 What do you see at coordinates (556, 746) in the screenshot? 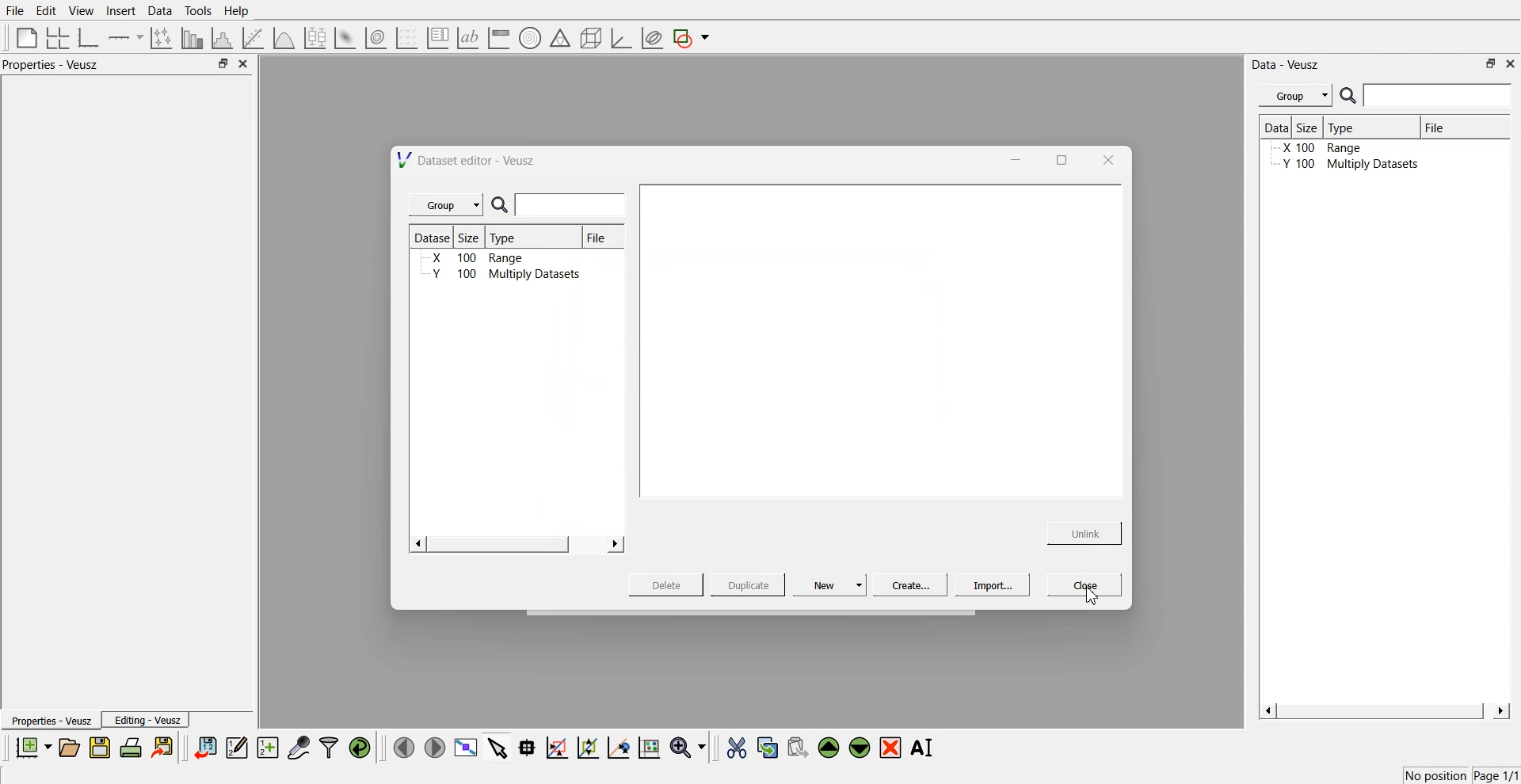
I see `draw a rectangle on zoom graph axes` at bounding box center [556, 746].